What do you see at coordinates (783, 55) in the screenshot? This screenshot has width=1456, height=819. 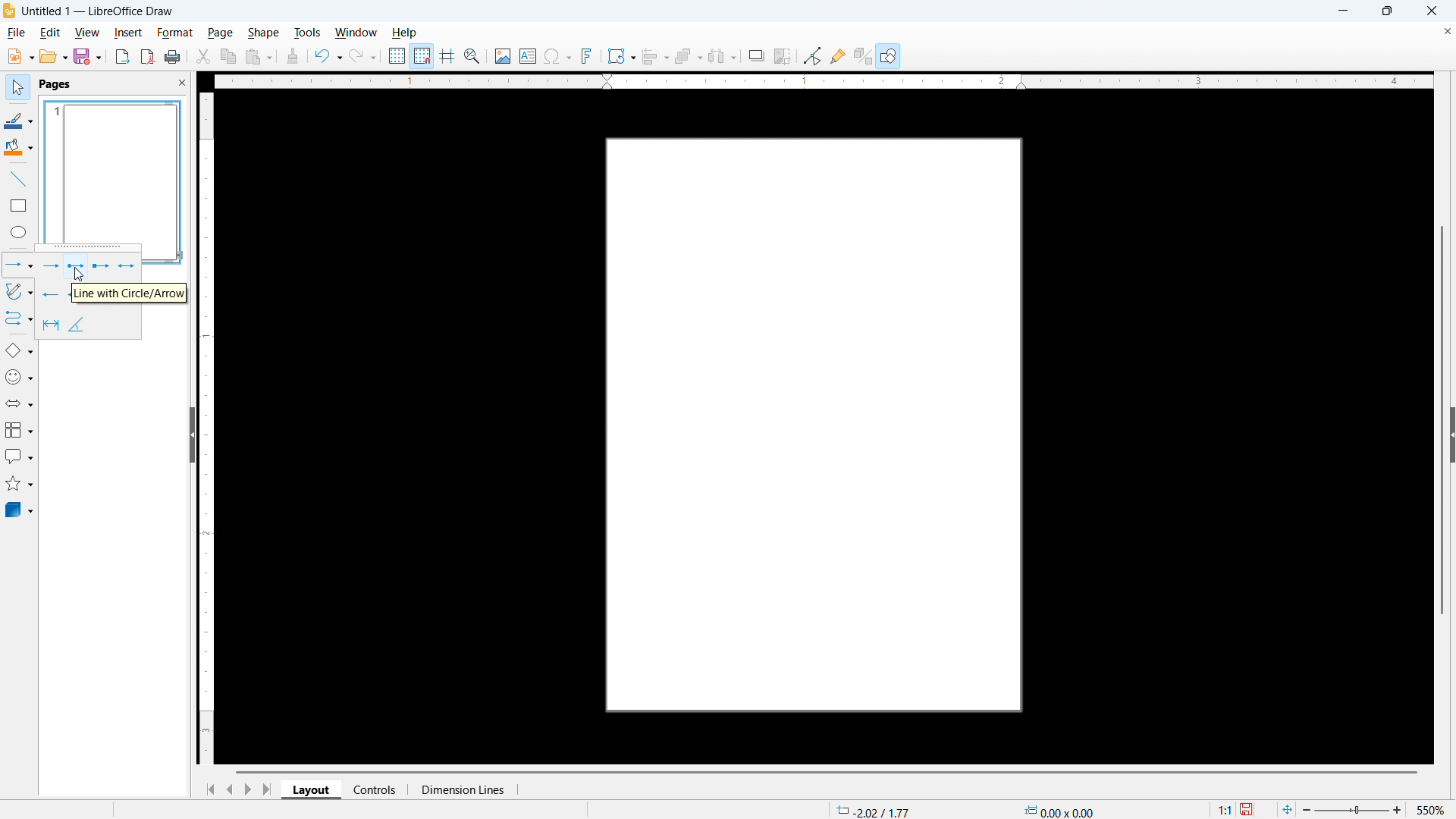 I see `Crop image ` at bounding box center [783, 55].